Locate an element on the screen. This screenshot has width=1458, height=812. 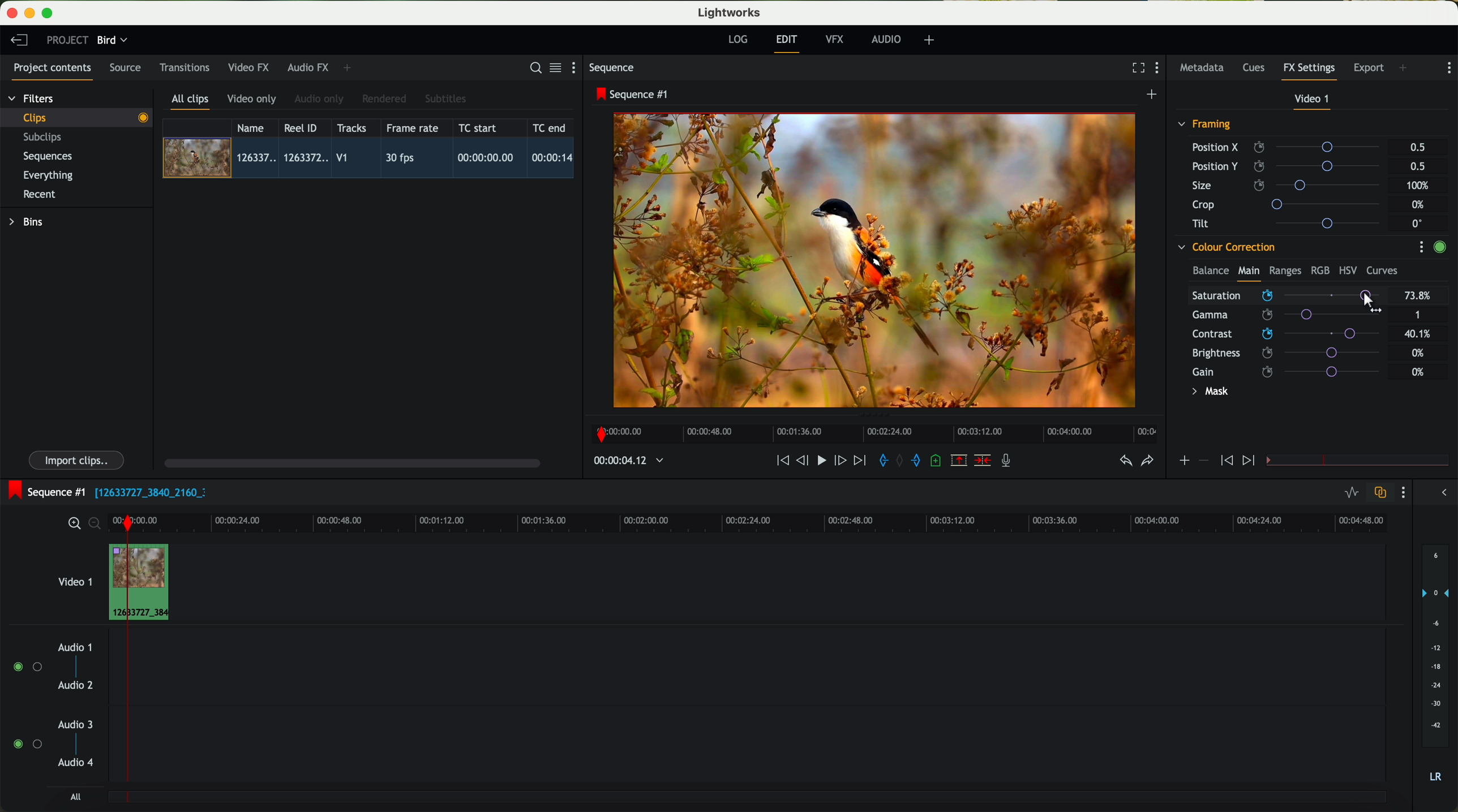
filters is located at coordinates (32, 98).